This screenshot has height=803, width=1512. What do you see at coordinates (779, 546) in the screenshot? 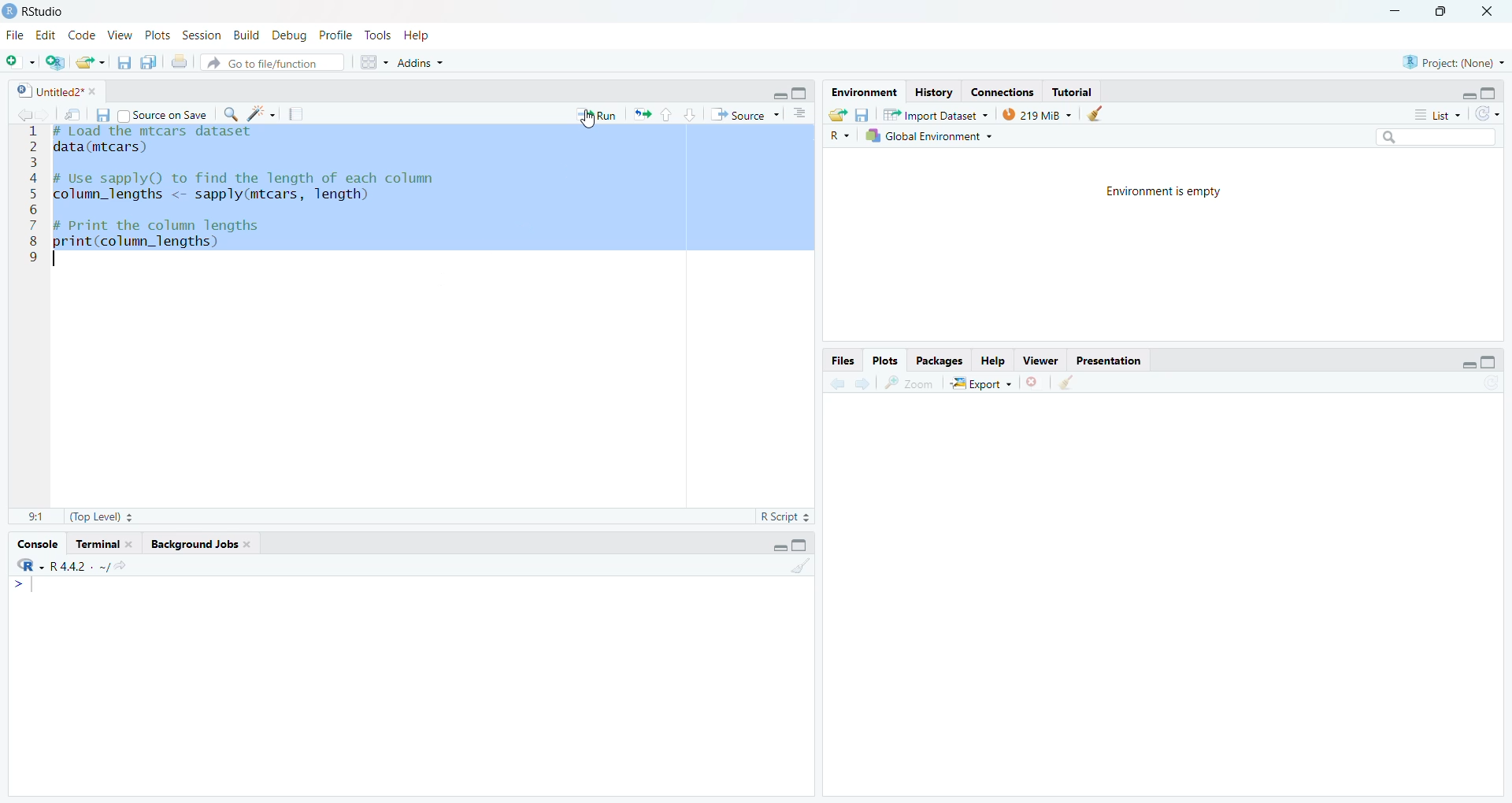
I see `Hide` at bounding box center [779, 546].